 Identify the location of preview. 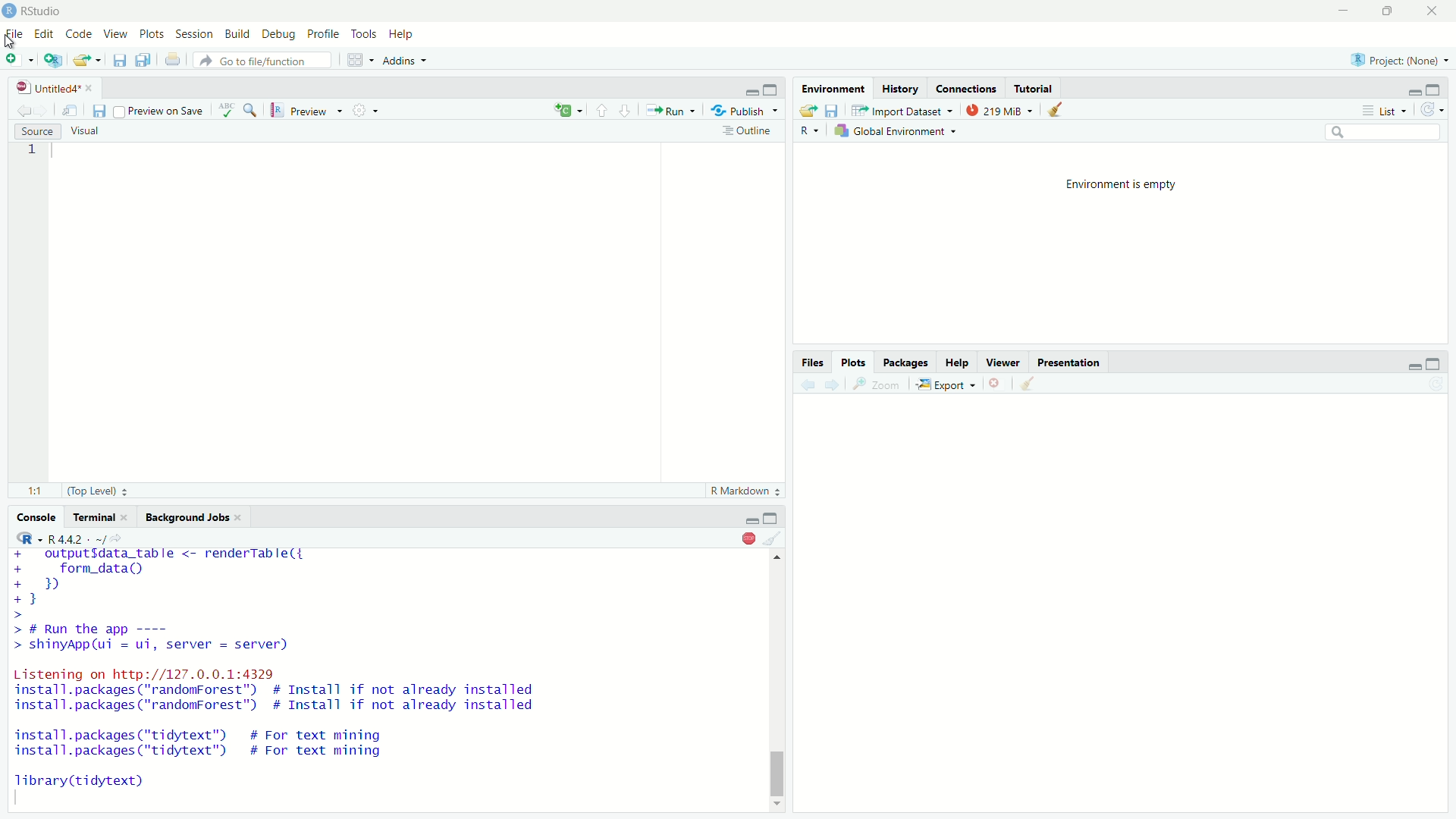
(308, 109).